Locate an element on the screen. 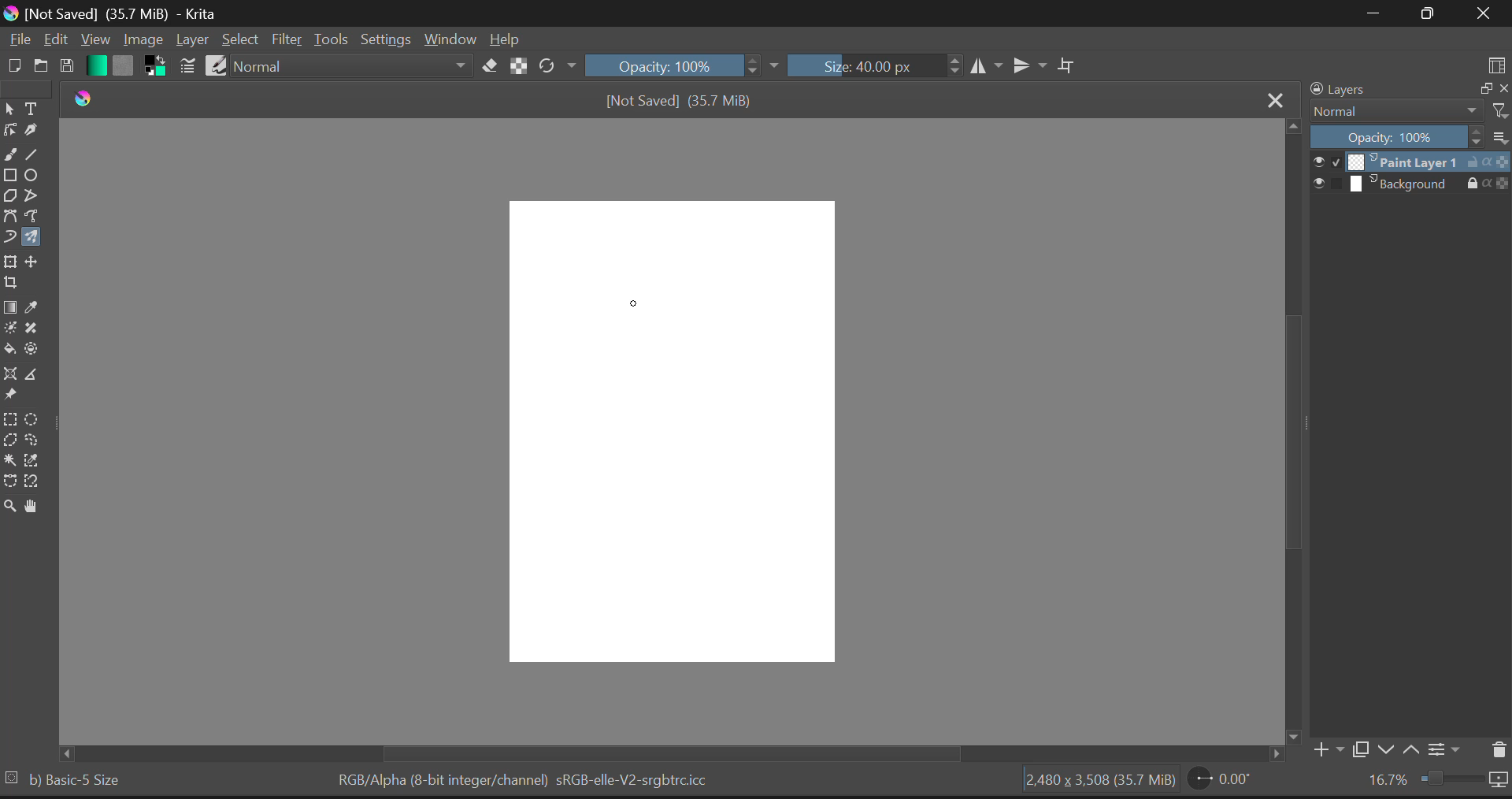 The width and height of the screenshot is (1512, 799). Assistant Tool is located at coordinates (9, 374).